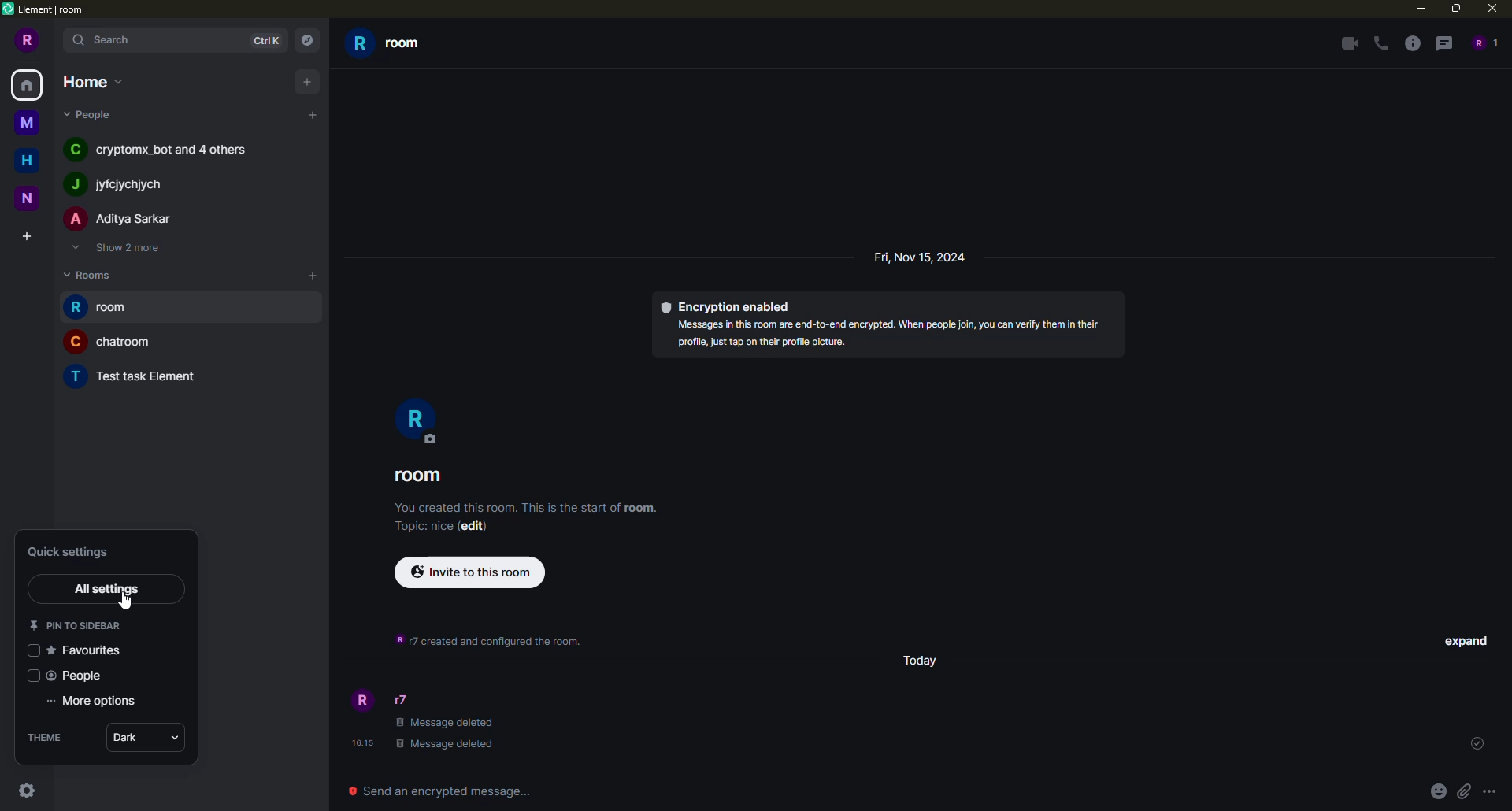 This screenshot has width=1512, height=811. Describe the element at coordinates (314, 275) in the screenshot. I see `add` at that location.